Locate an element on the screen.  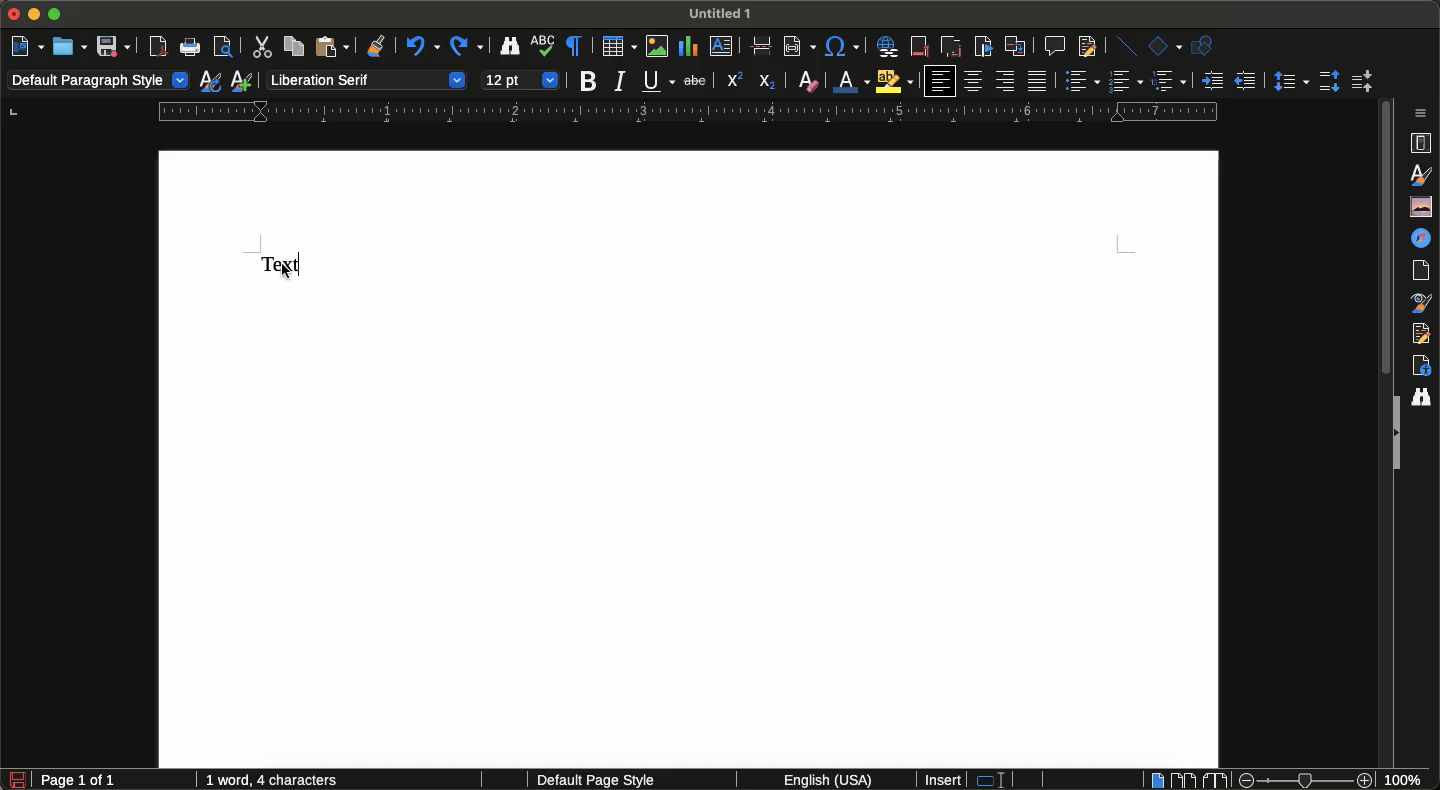
English (USA) is located at coordinates (820, 780).